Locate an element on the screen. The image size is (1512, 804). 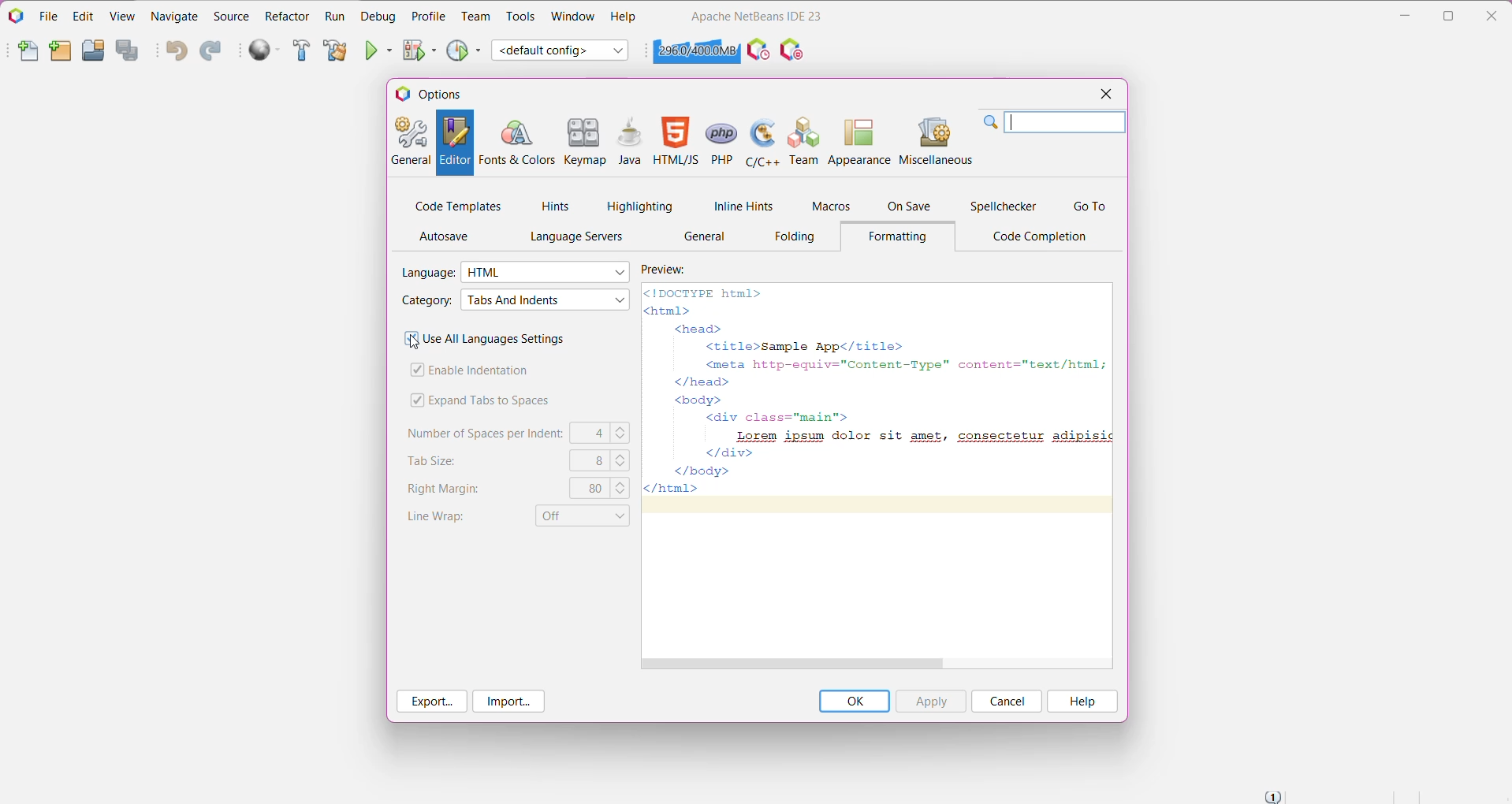
Set Line Wrap is located at coordinates (581, 516).